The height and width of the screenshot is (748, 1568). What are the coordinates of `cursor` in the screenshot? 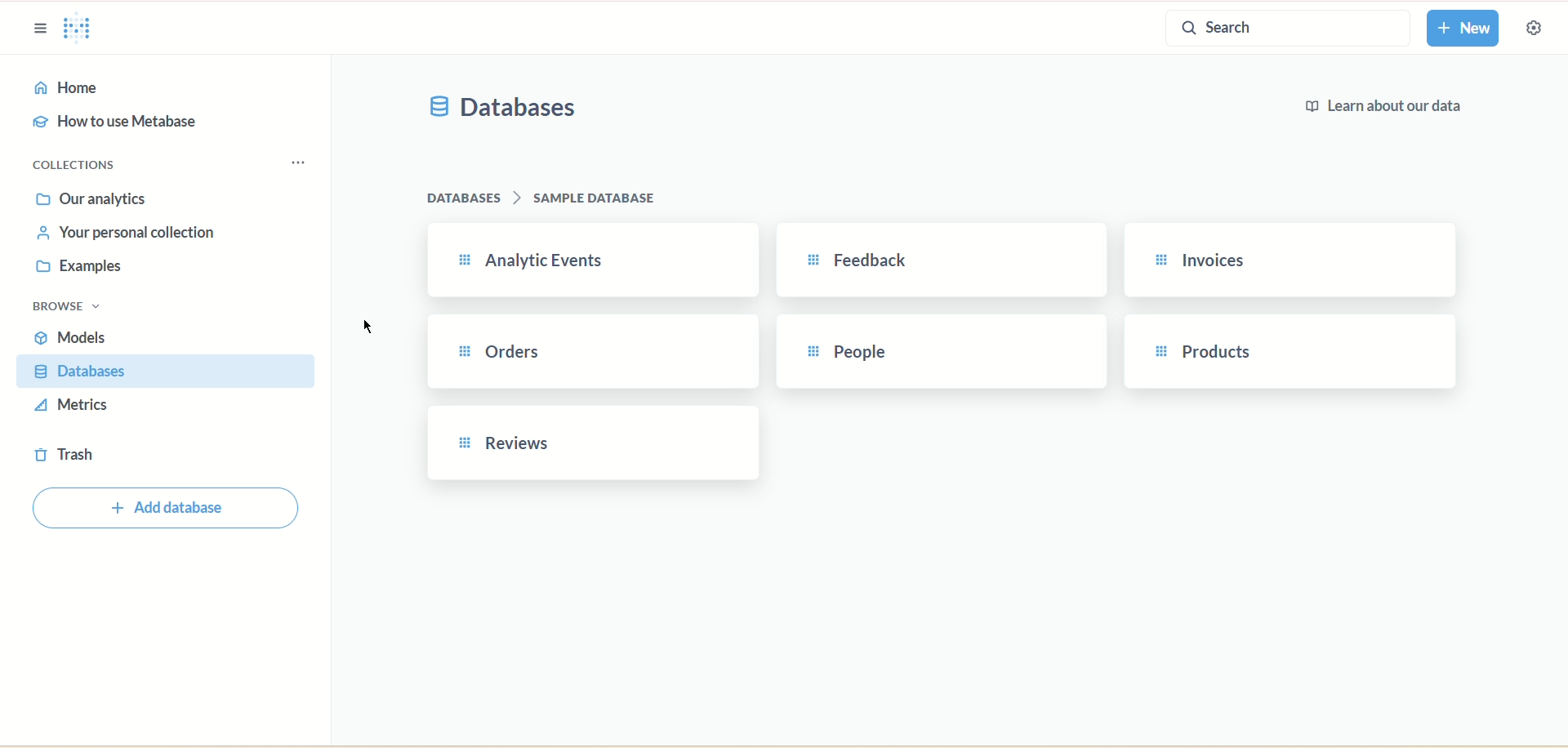 It's located at (371, 327).